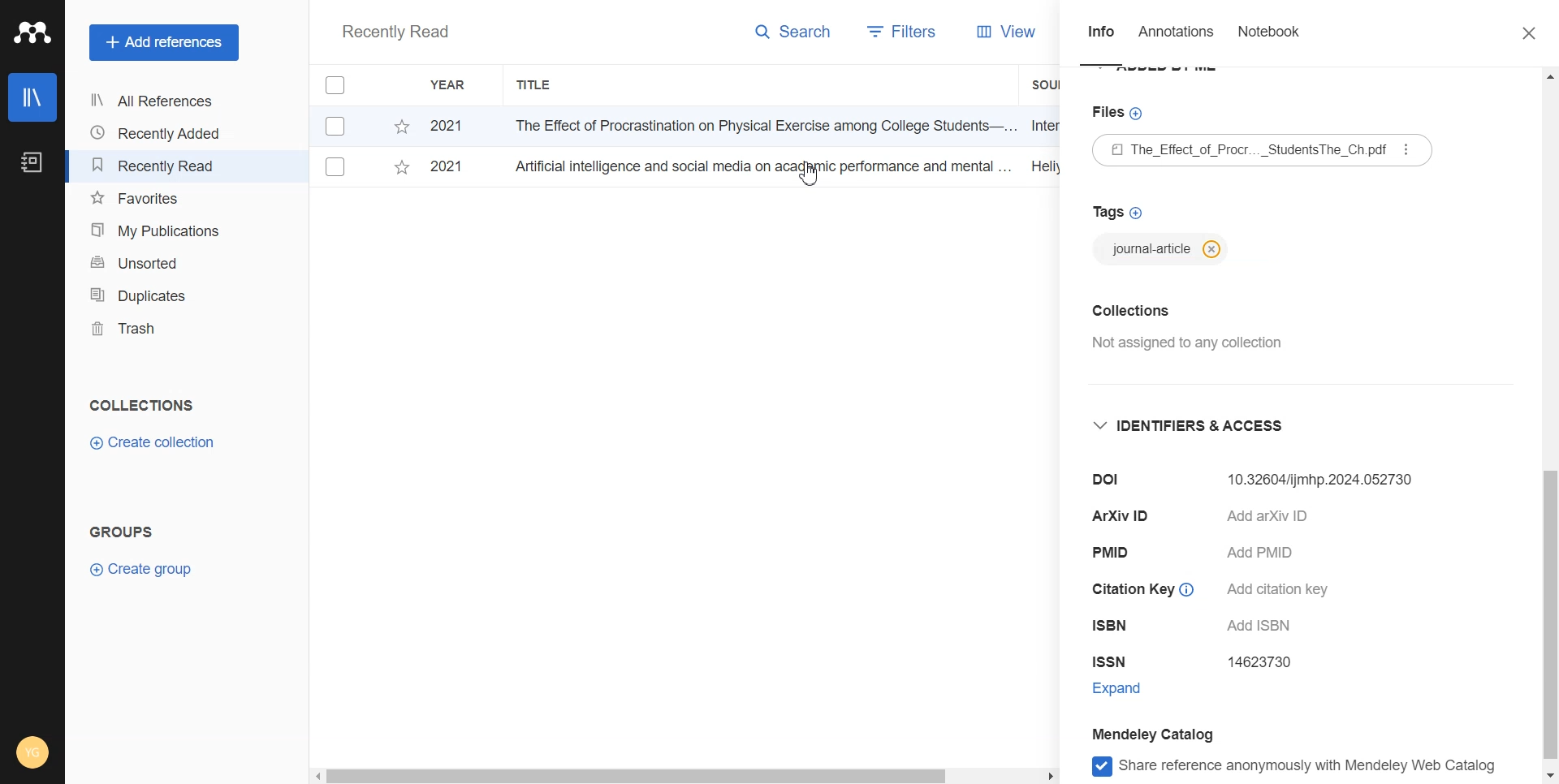 The image size is (1559, 784). I want to click on Duplicates, so click(159, 295).